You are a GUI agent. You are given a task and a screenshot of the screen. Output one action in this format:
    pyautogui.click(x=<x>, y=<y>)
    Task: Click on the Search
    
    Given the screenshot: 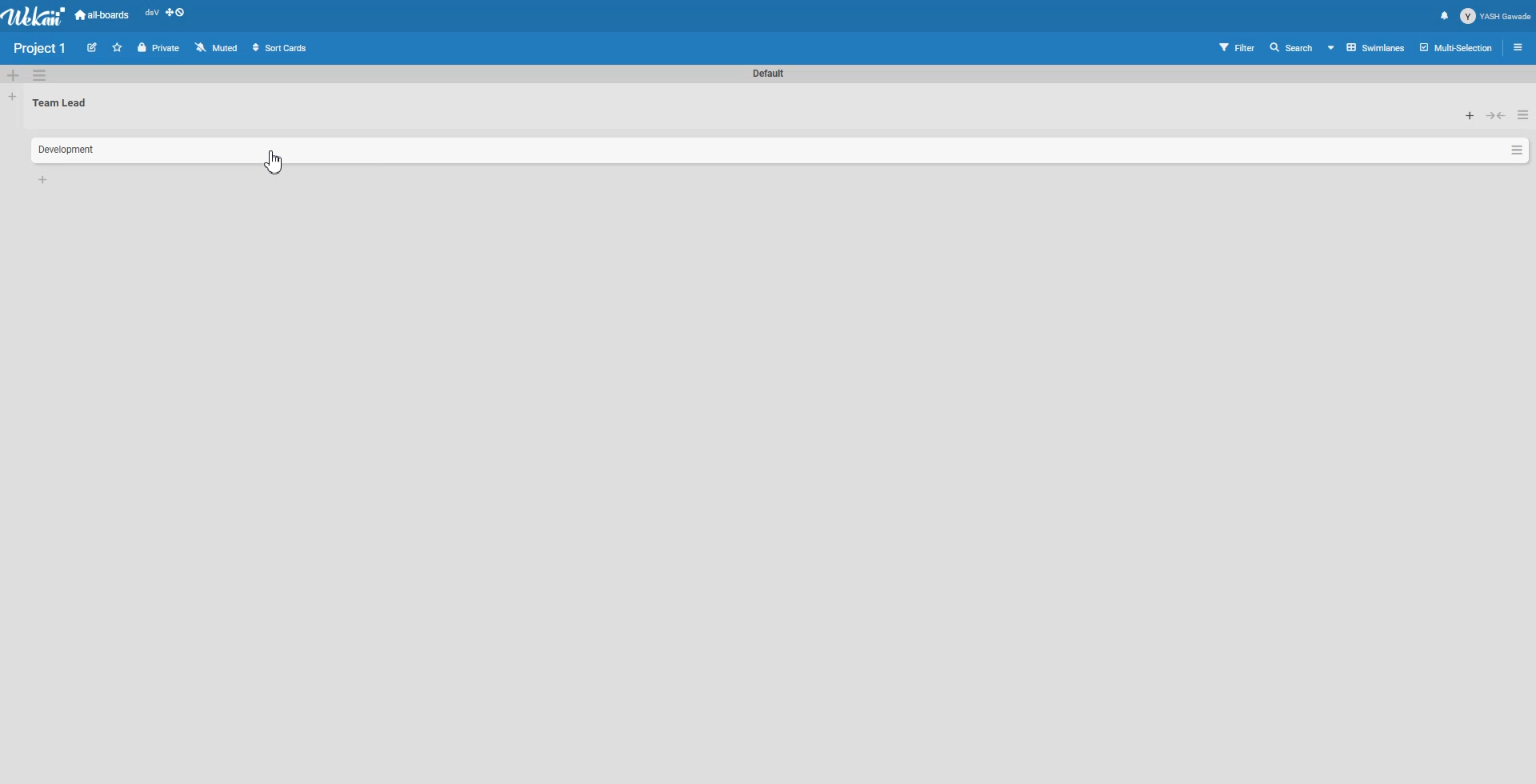 What is the action you would take?
    pyautogui.click(x=1292, y=47)
    